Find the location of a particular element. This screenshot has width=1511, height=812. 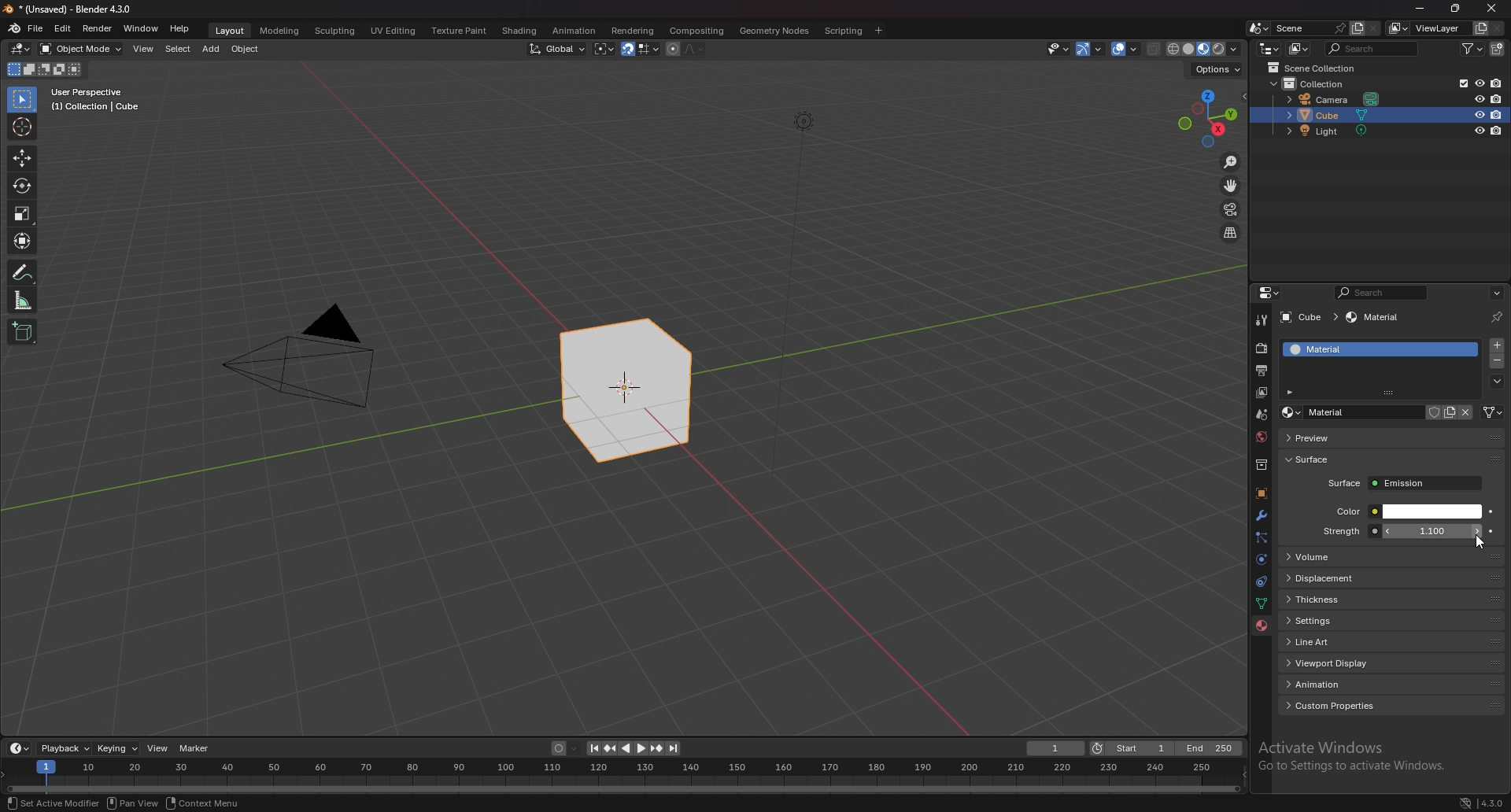

object mode is located at coordinates (82, 48).